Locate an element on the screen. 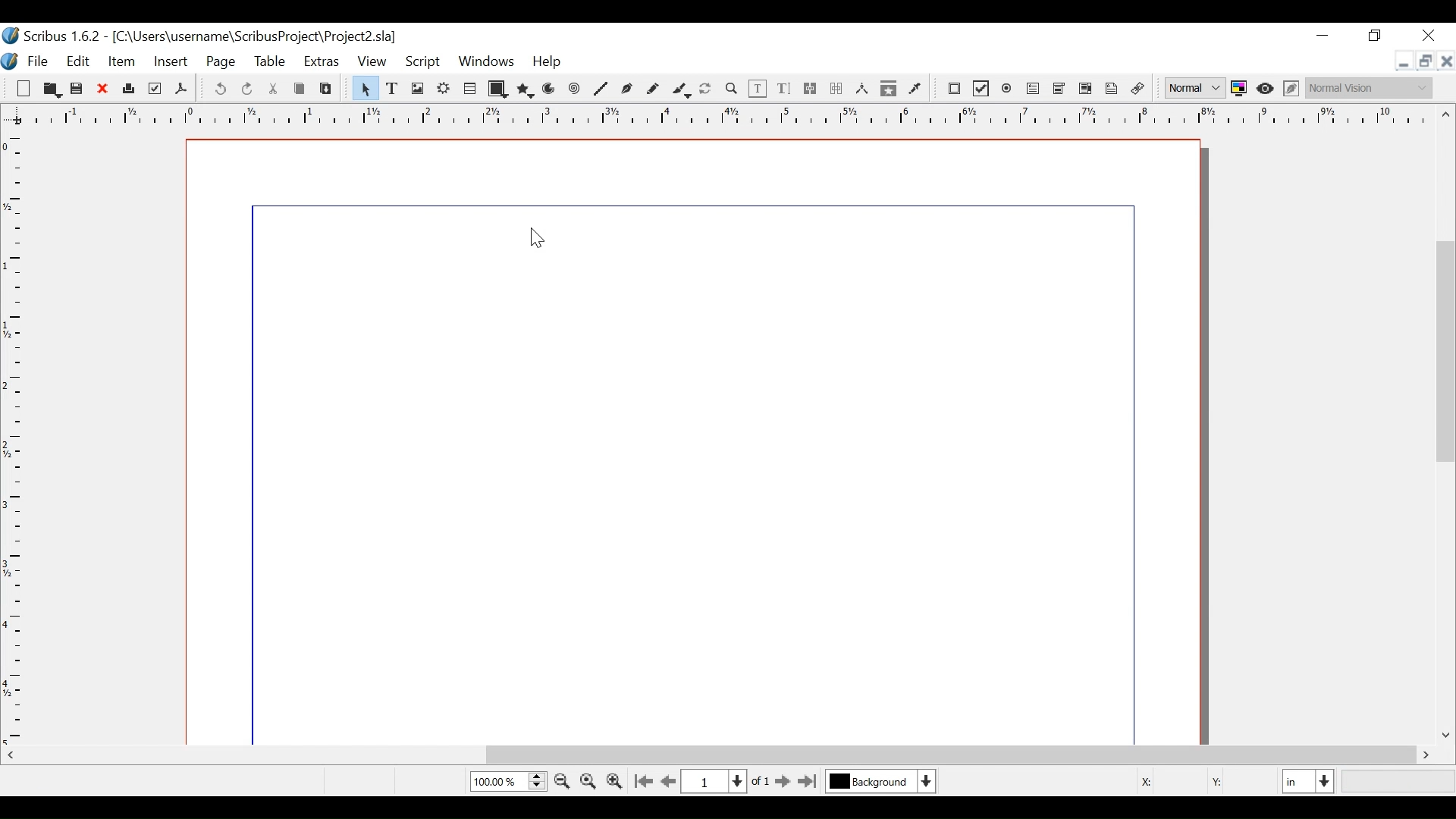 Image resolution: width=1456 pixels, height=819 pixels. Zoom Factor is located at coordinates (507, 780).